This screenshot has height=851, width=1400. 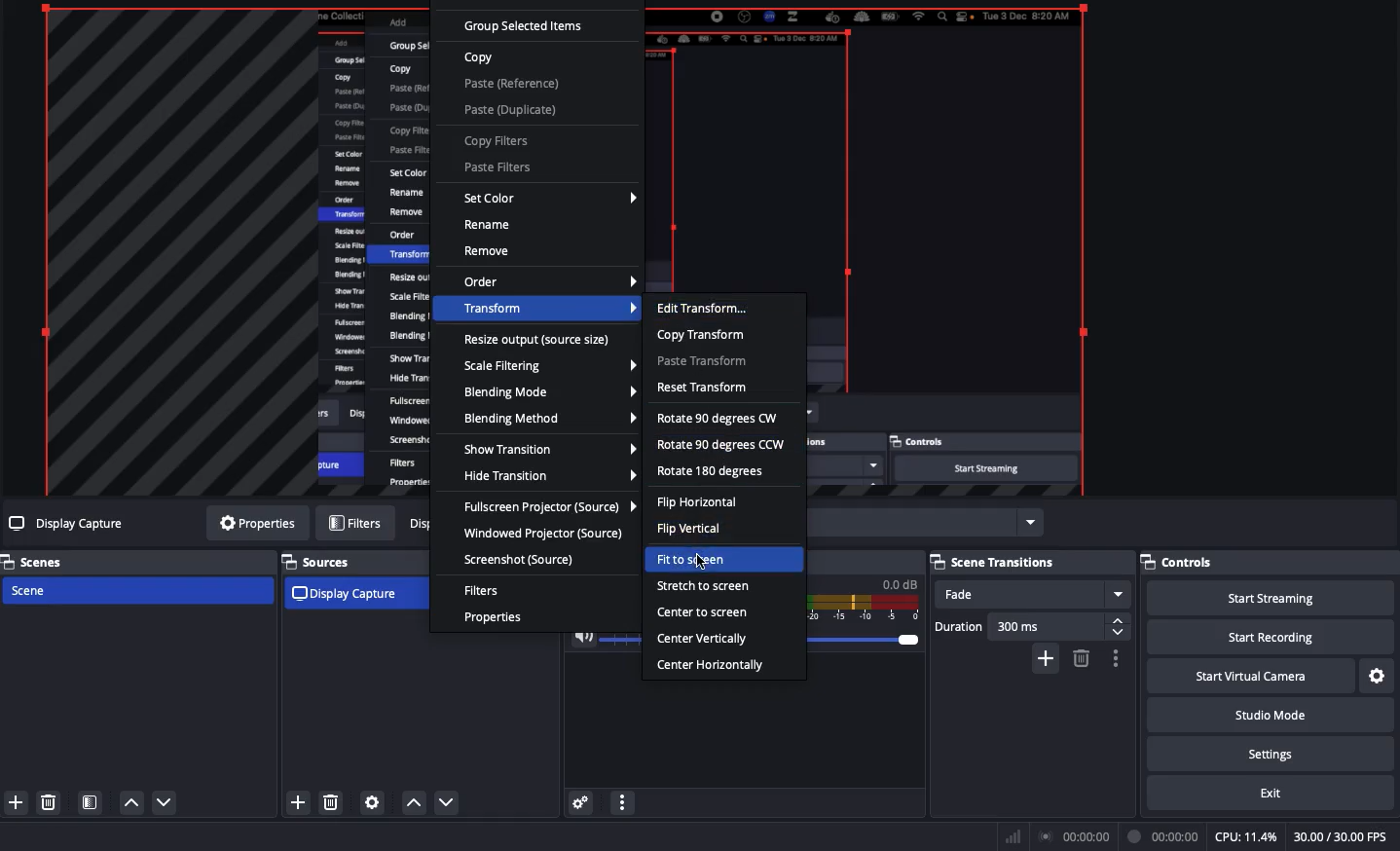 I want to click on Blending mode, so click(x=547, y=391).